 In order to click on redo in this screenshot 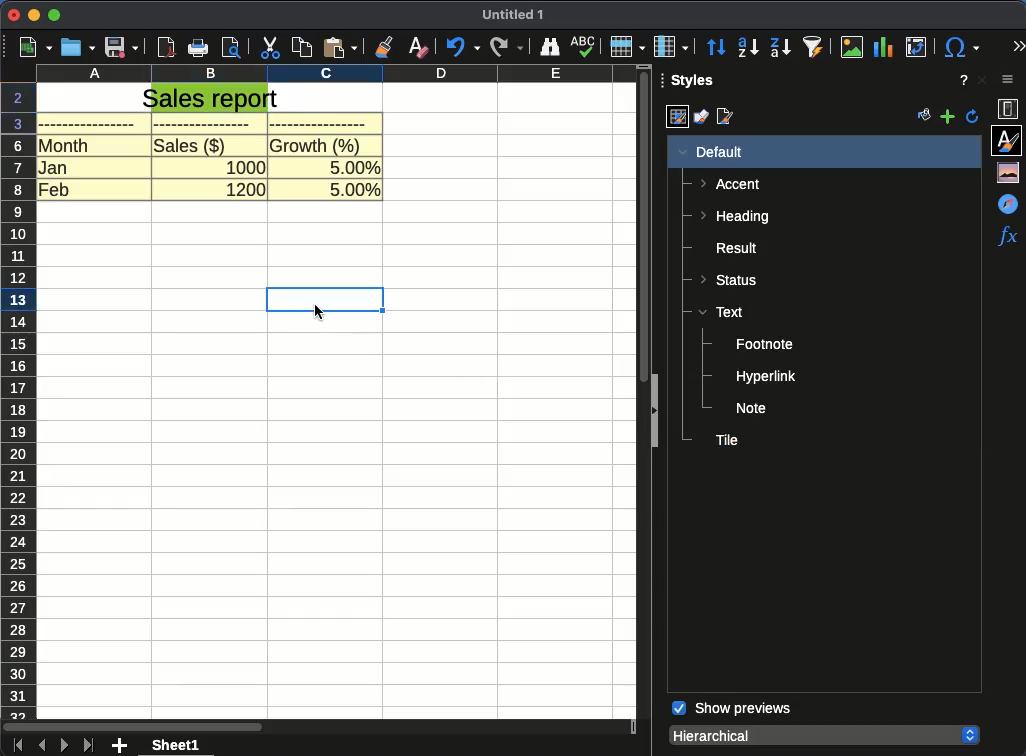, I will do `click(507, 48)`.